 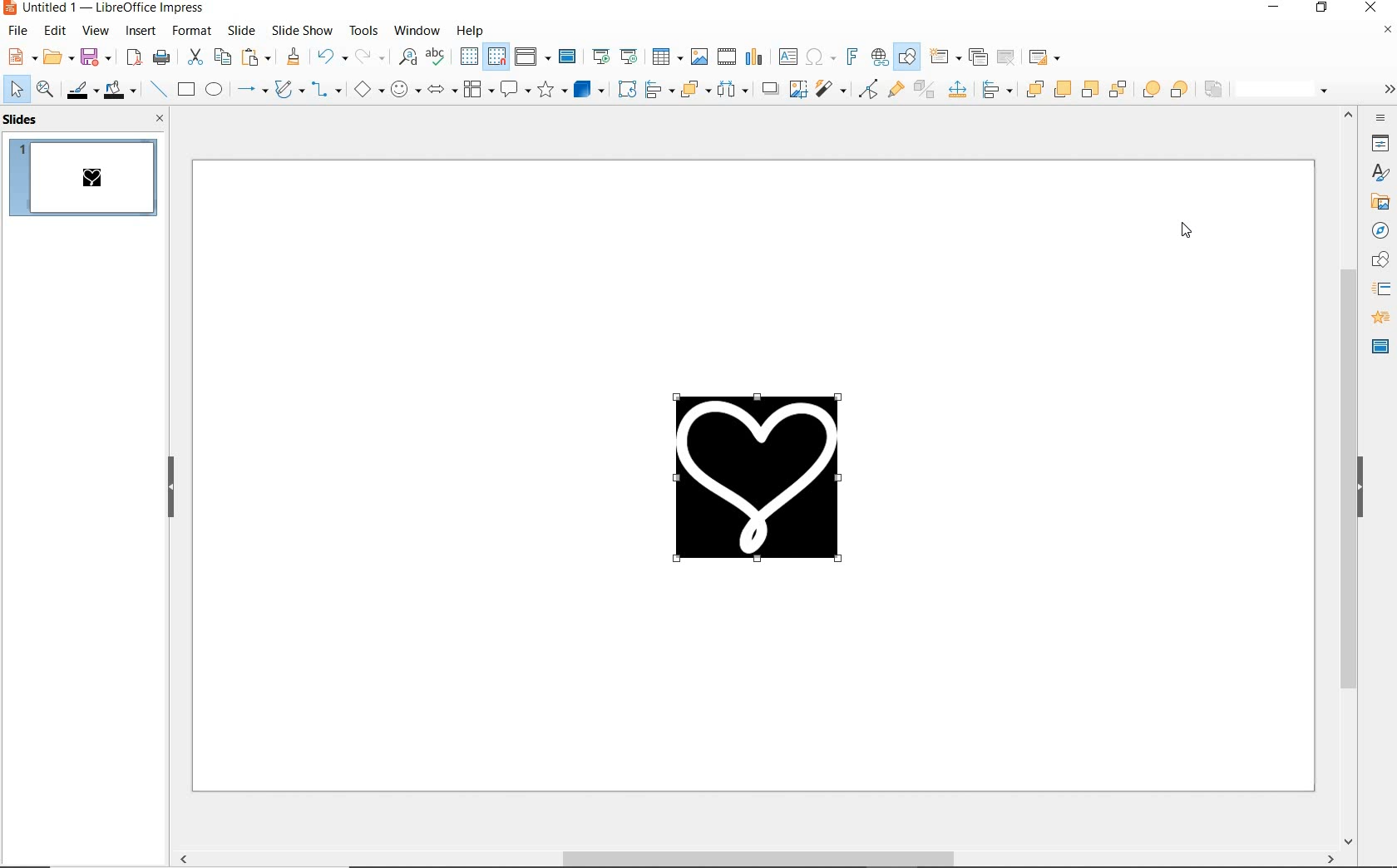 I want to click on select at least three objects to distribute, so click(x=733, y=91).